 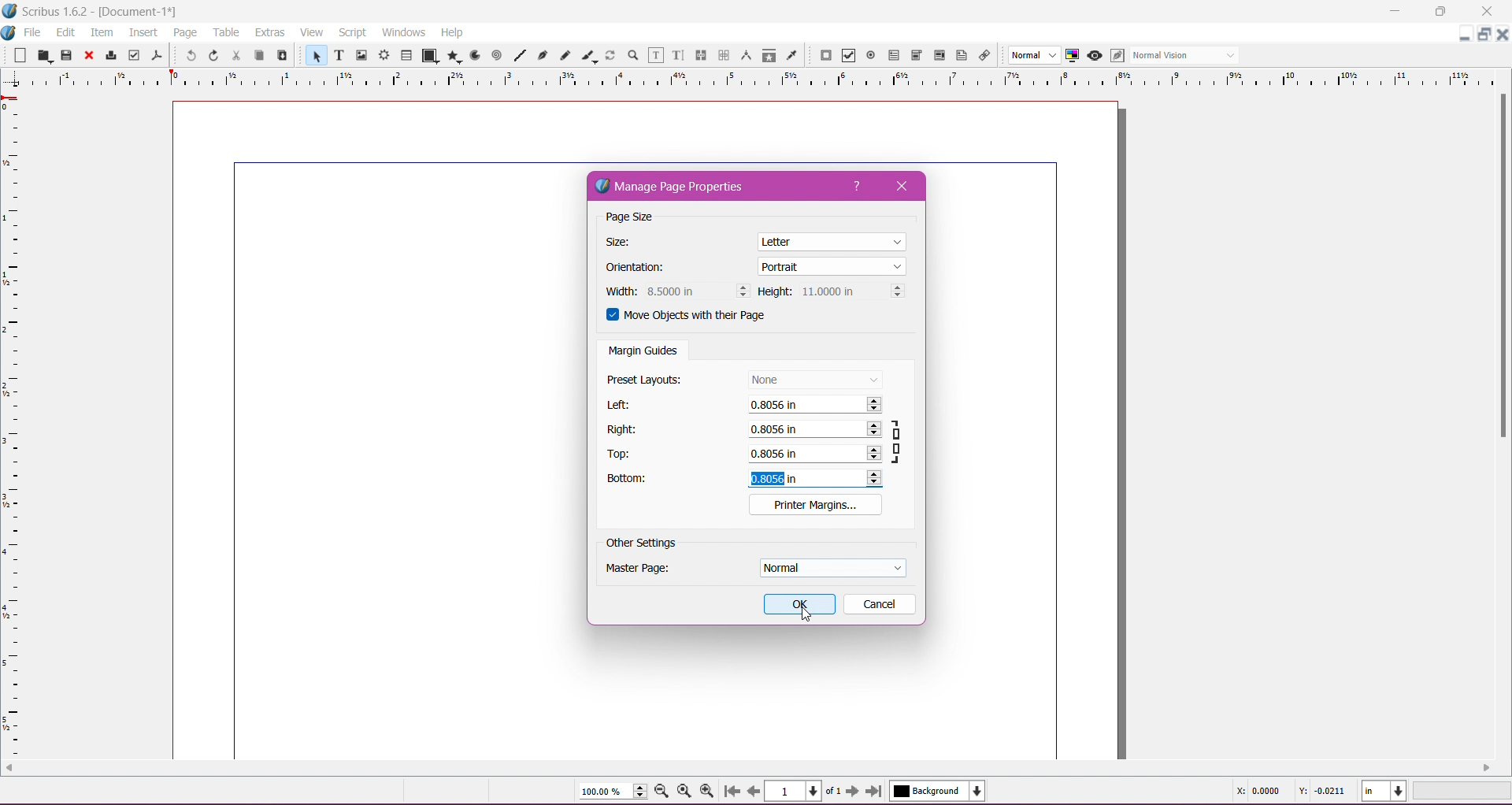 What do you see at coordinates (385, 55) in the screenshot?
I see `Render Frame` at bounding box center [385, 55].